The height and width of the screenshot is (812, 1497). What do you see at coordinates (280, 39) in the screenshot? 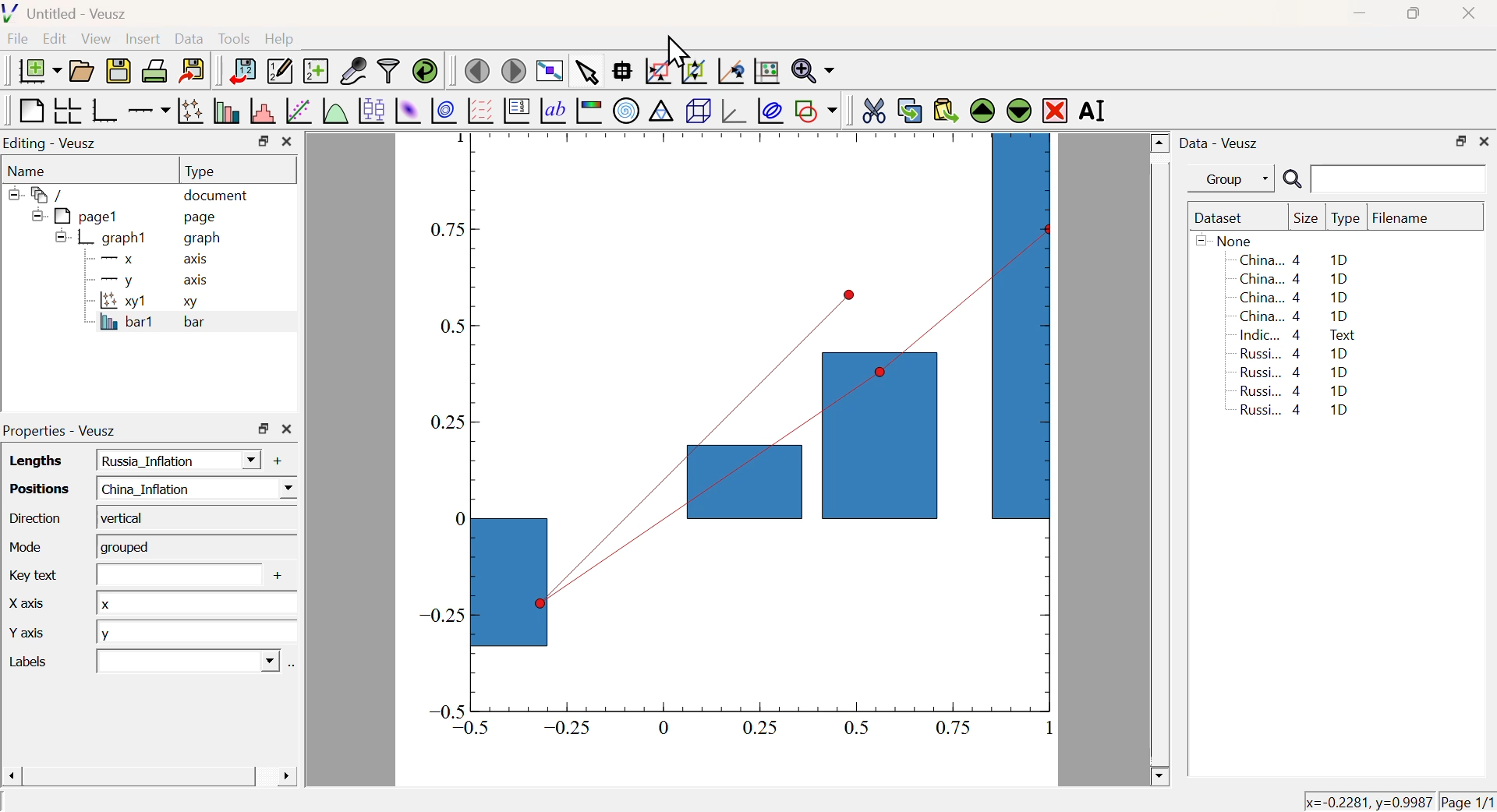
I see `Help` at bounding box center [280, 39].